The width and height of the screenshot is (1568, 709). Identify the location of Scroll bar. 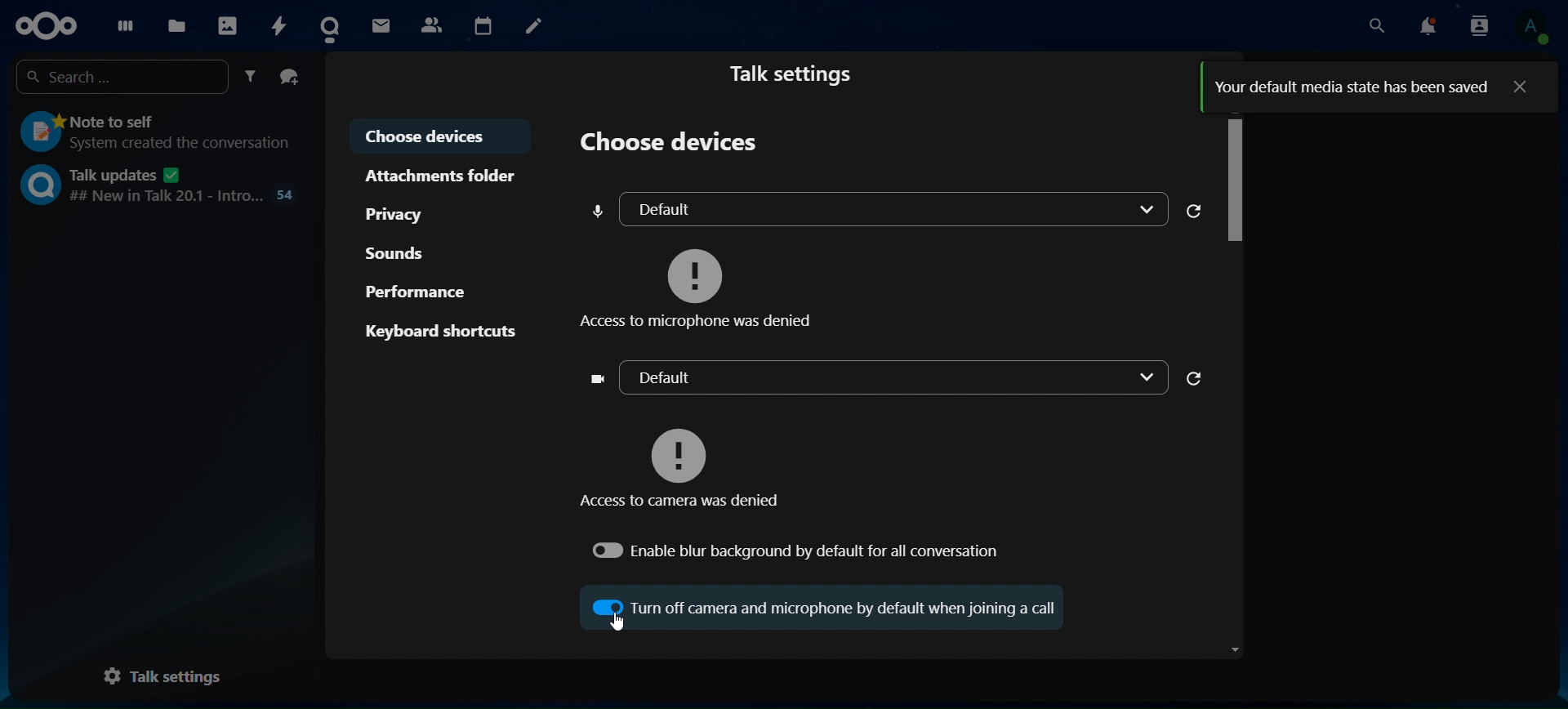
(1235, 384).